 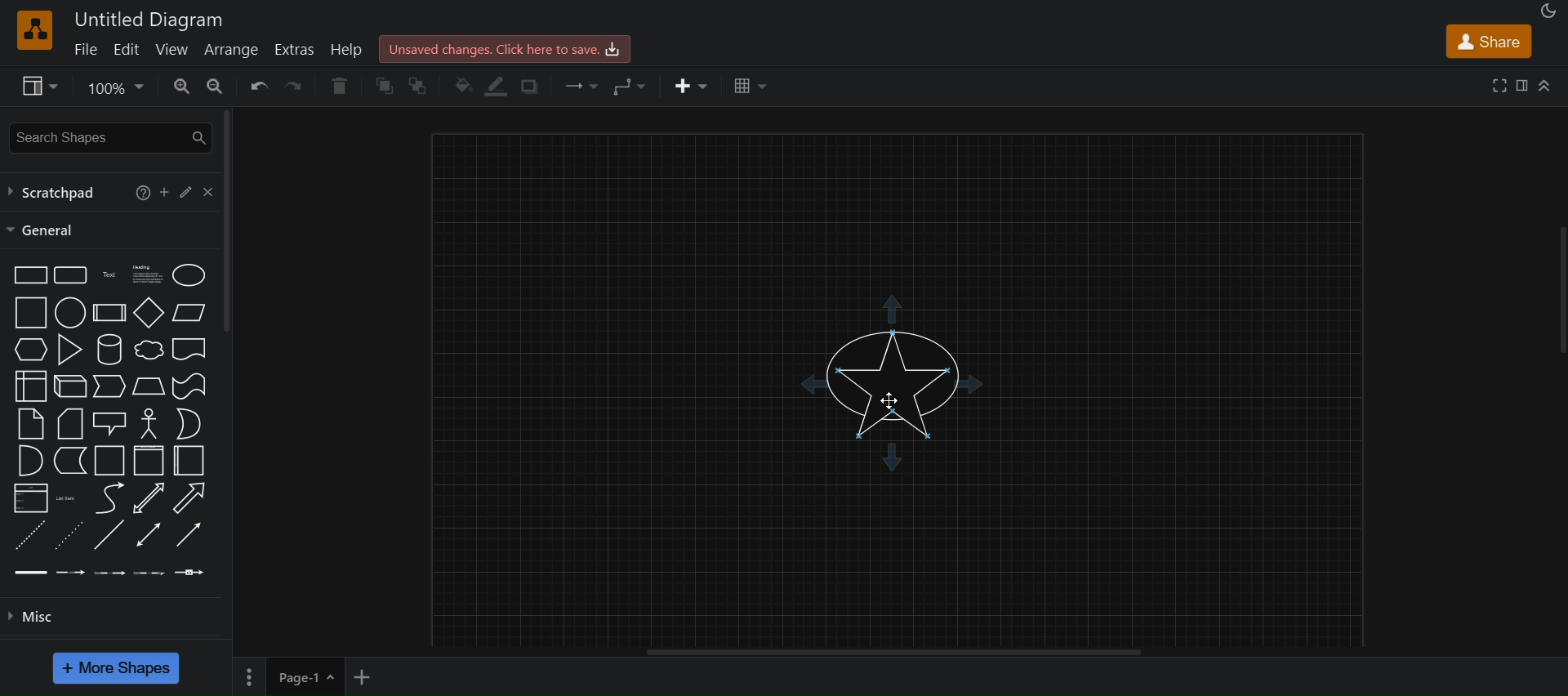 I want to click on cylinder, so click(x=109, y=349).